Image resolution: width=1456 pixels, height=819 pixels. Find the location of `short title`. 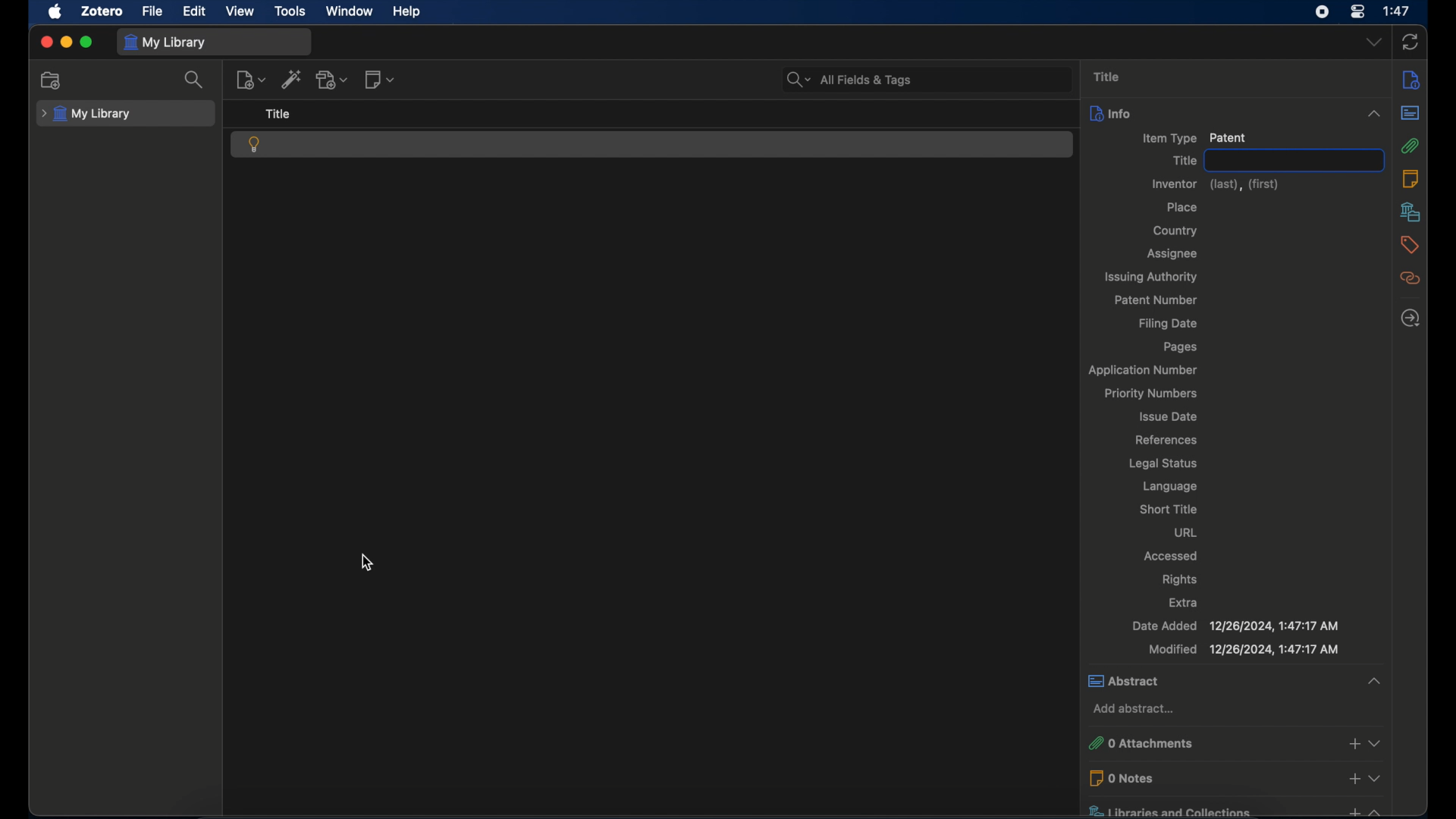

short title is located at coordinates (1169, 509).